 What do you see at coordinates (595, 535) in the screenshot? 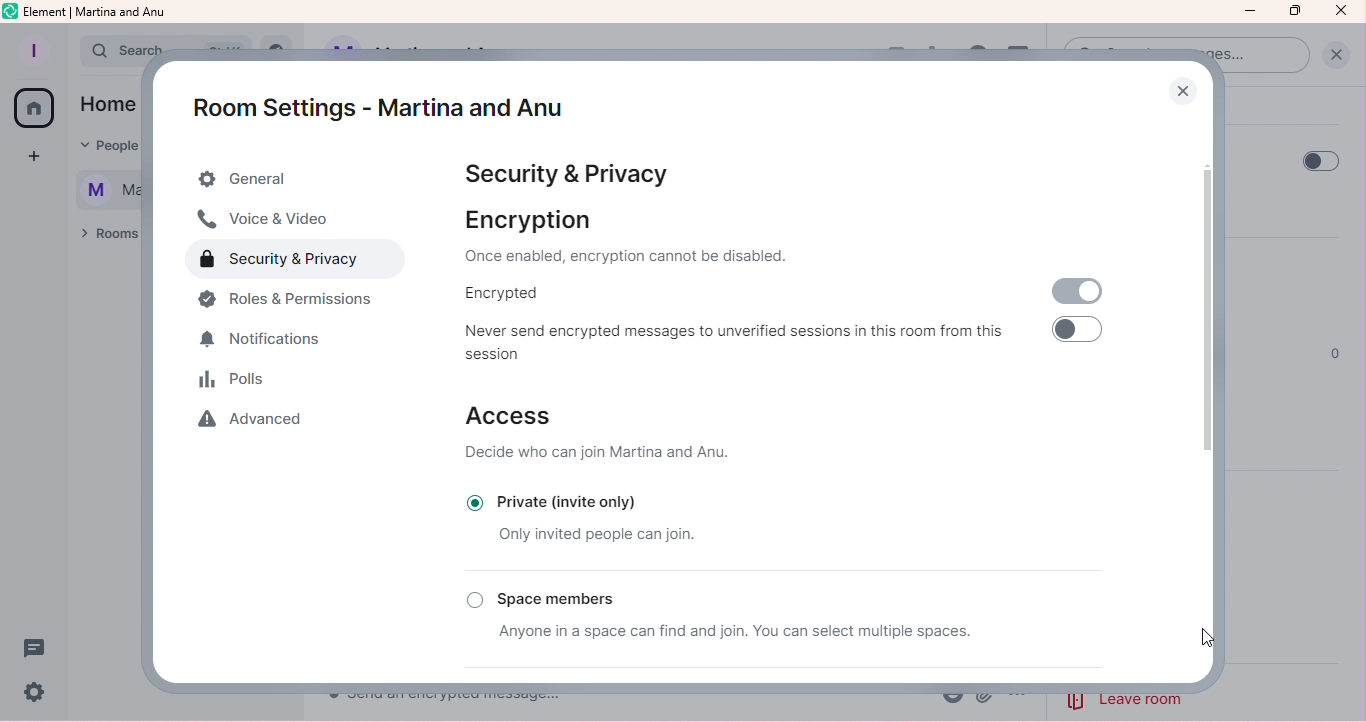
I see `Only invited people can join` at bounding box center [595, 535].